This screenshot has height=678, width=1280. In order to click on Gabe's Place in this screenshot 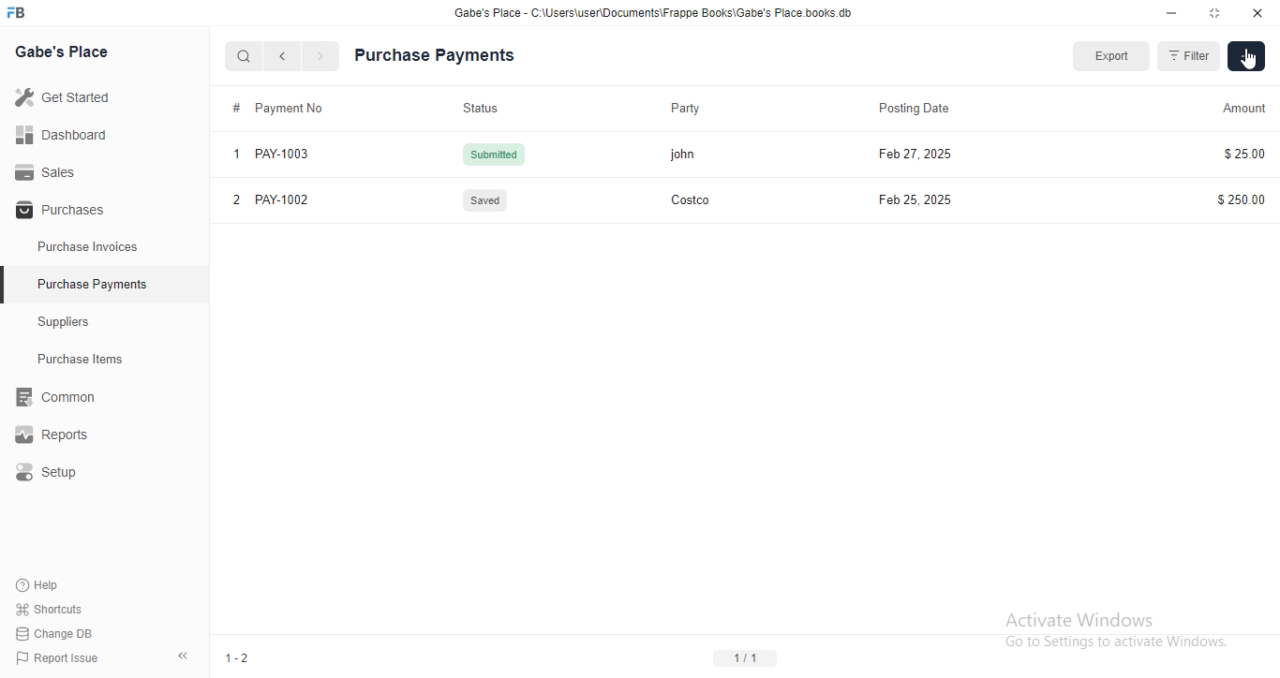, I will do `click(66, 53)`.